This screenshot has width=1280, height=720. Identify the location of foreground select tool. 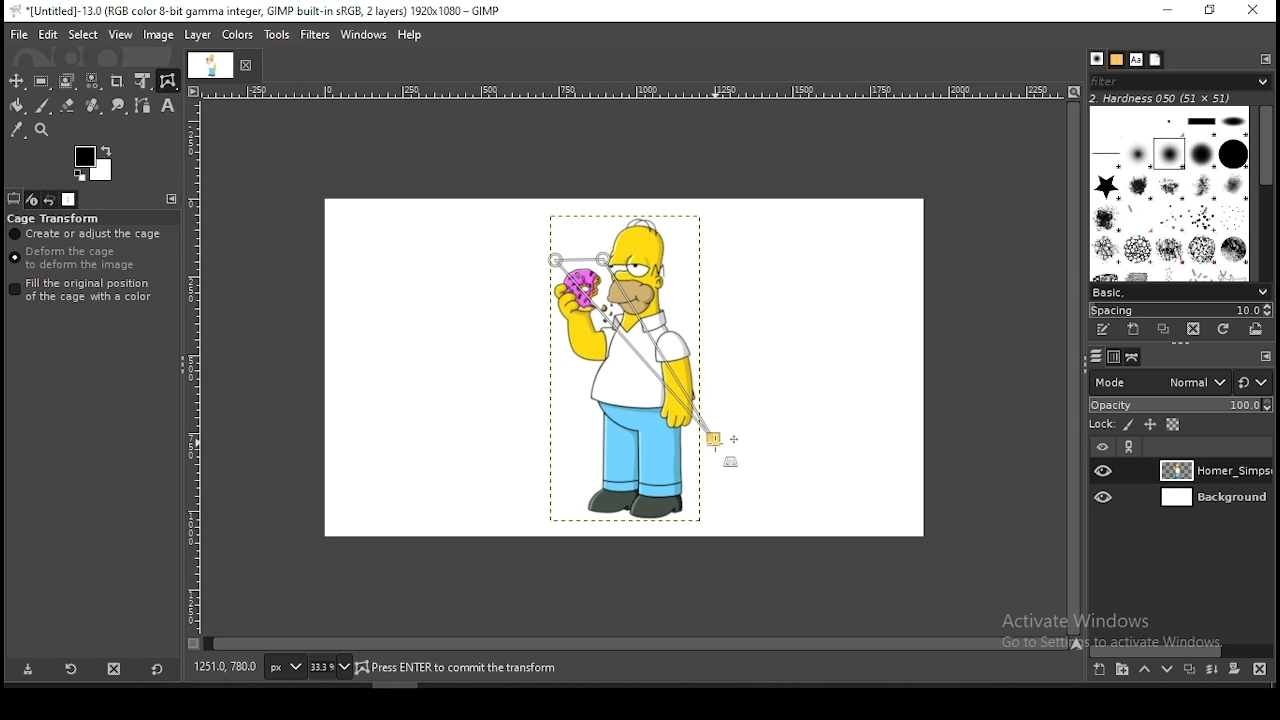
(67, 81).